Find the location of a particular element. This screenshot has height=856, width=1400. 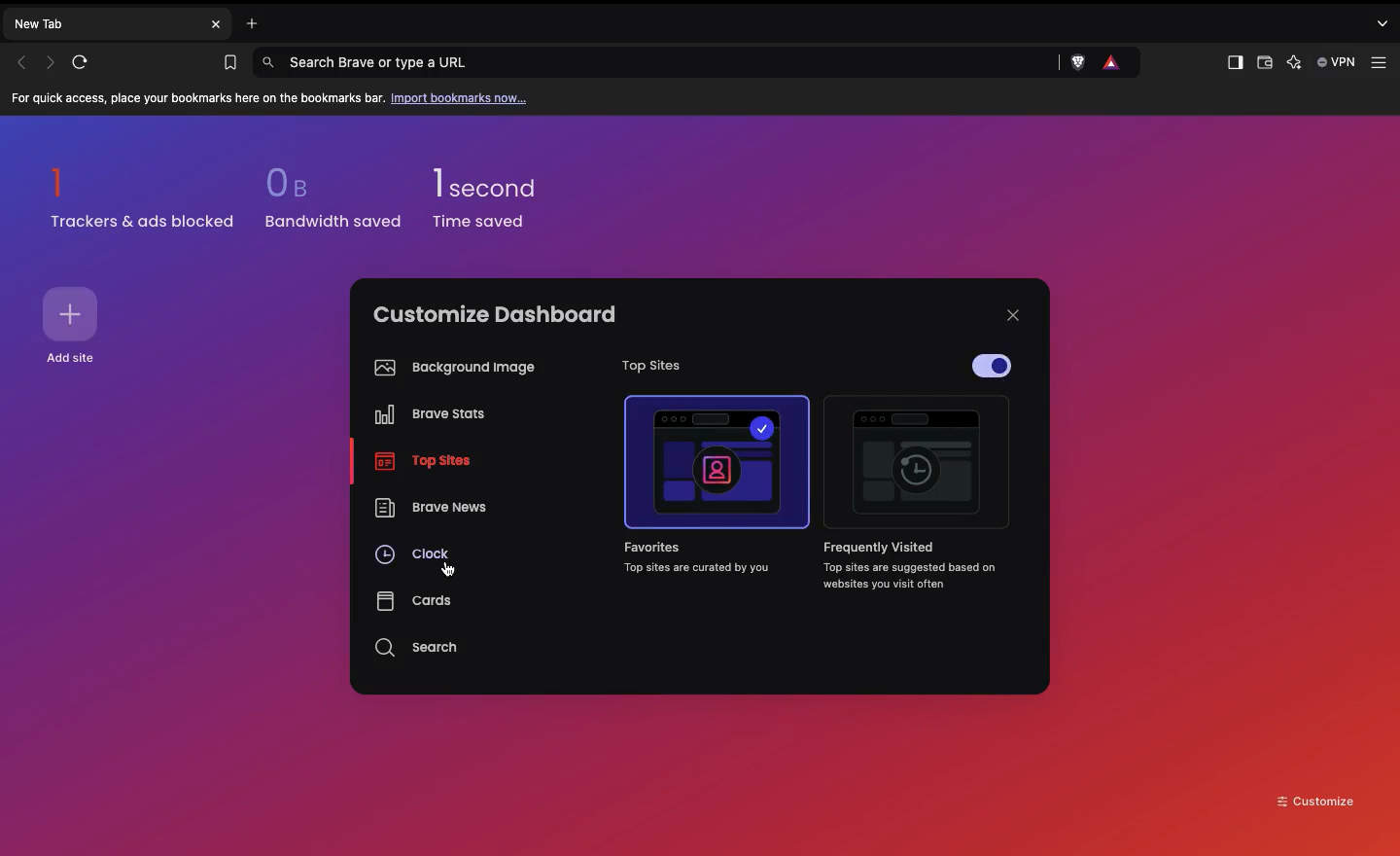

Sidebar is located at coordinates (1233, 63).